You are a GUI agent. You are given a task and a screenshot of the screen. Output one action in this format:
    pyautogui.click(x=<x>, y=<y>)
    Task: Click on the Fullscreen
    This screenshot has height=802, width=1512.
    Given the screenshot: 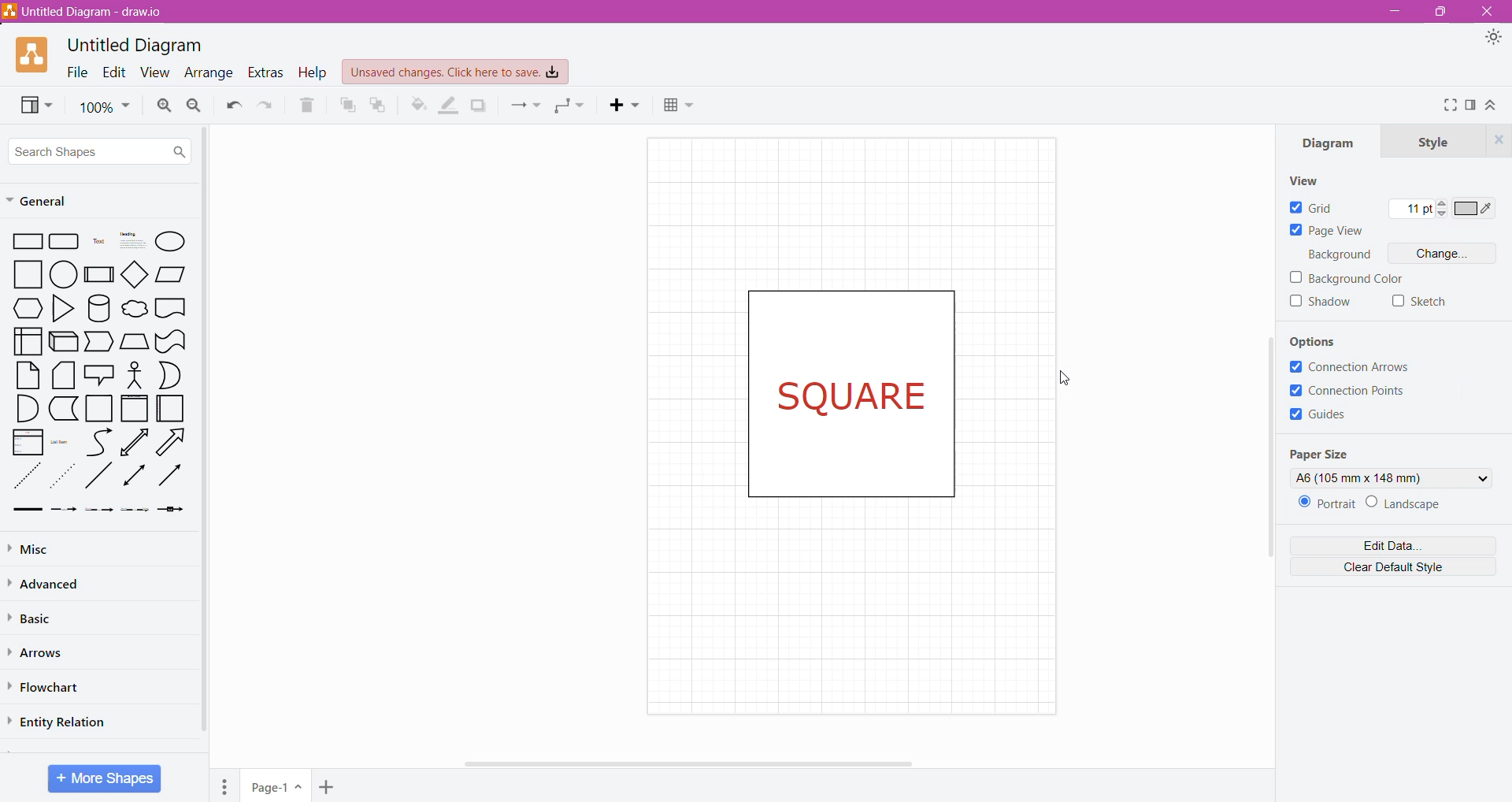 What is the action you would take?
    pyautogui.click(x=1449, y=106)
    